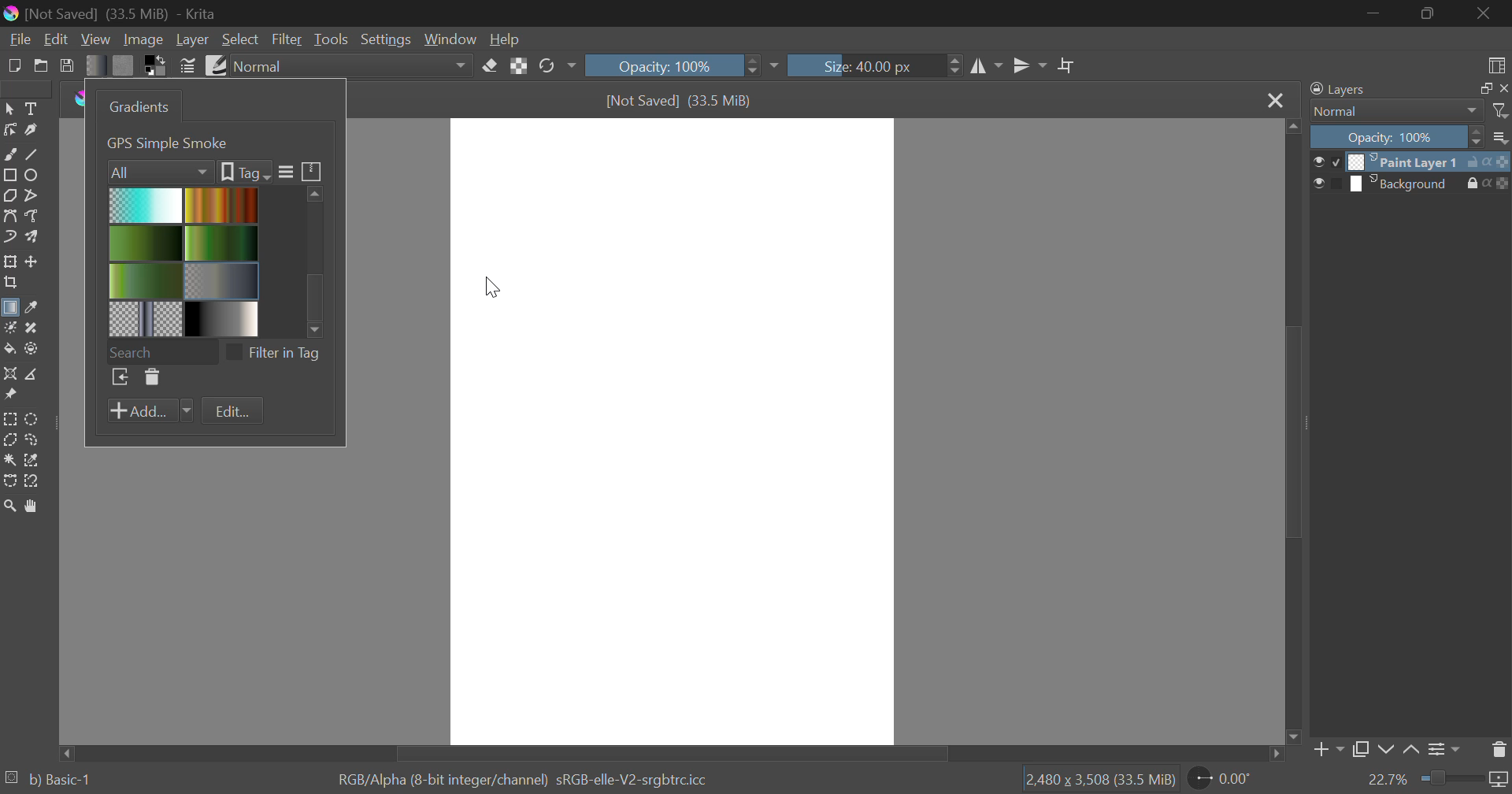 The width and height of the screenshot is (1512, 794). What do you see at coordinates (321, 258) in the screenshot?
I see `MOUSE_DOWN on Gradient Scroll Bar` at bounding box center [321, 258].